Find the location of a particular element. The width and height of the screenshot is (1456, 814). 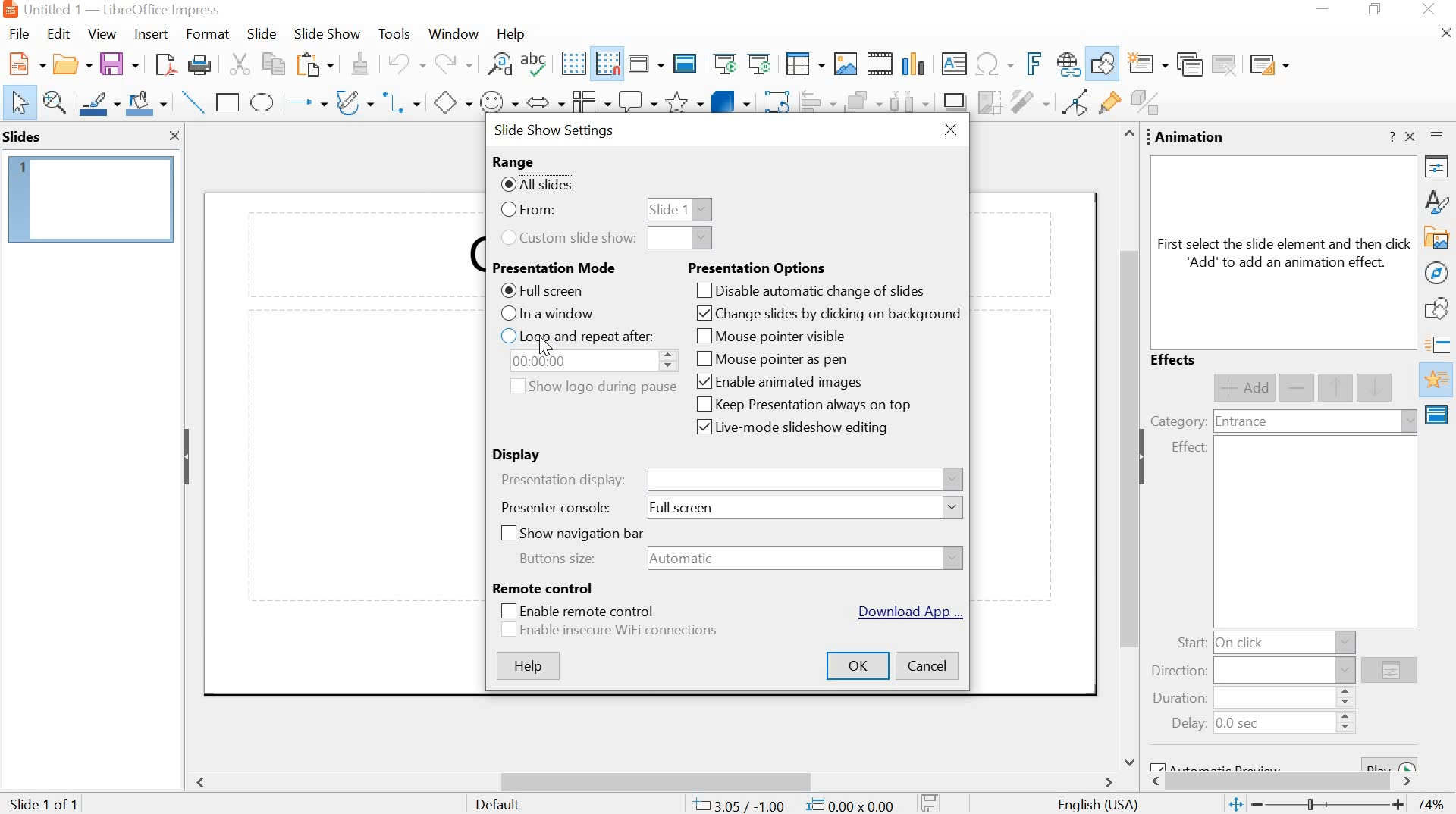

spelling is located at coordinates (538, 66).